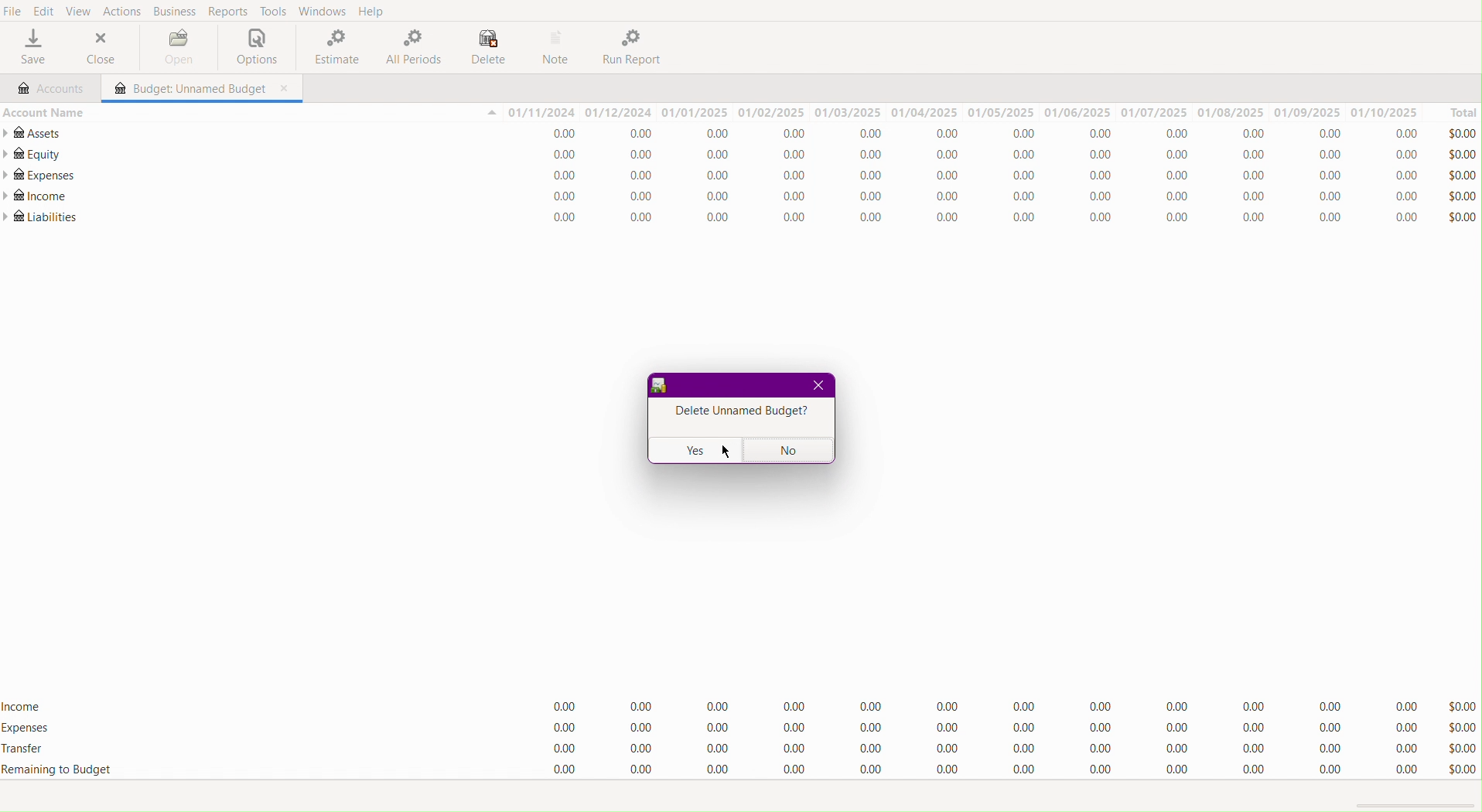 The image size is (1482, 812). I want to click on Transfer, so click(32, 750).